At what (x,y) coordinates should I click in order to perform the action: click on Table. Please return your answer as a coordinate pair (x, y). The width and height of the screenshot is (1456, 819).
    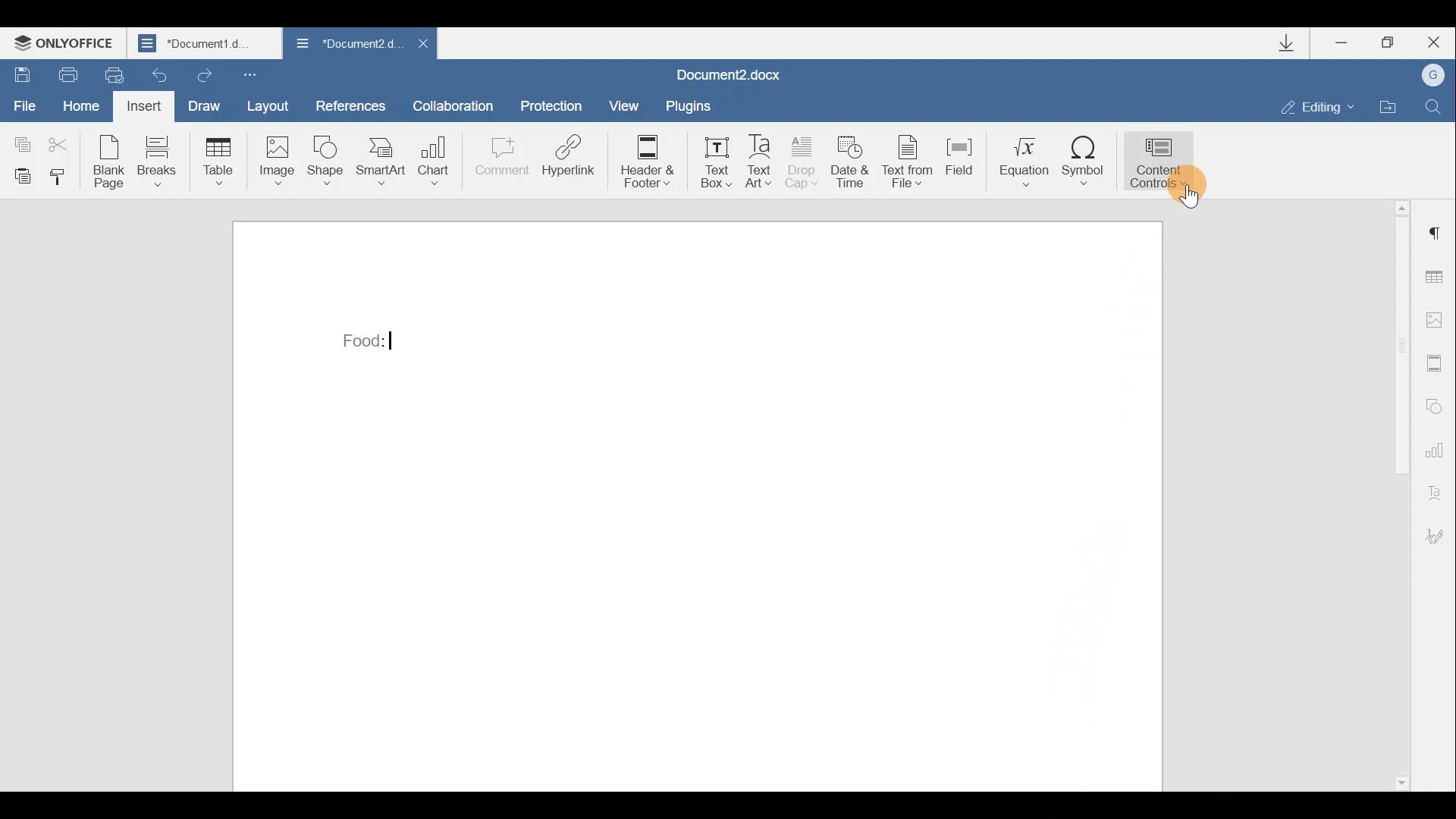
    Looking at the image, I should click on (219, 163).